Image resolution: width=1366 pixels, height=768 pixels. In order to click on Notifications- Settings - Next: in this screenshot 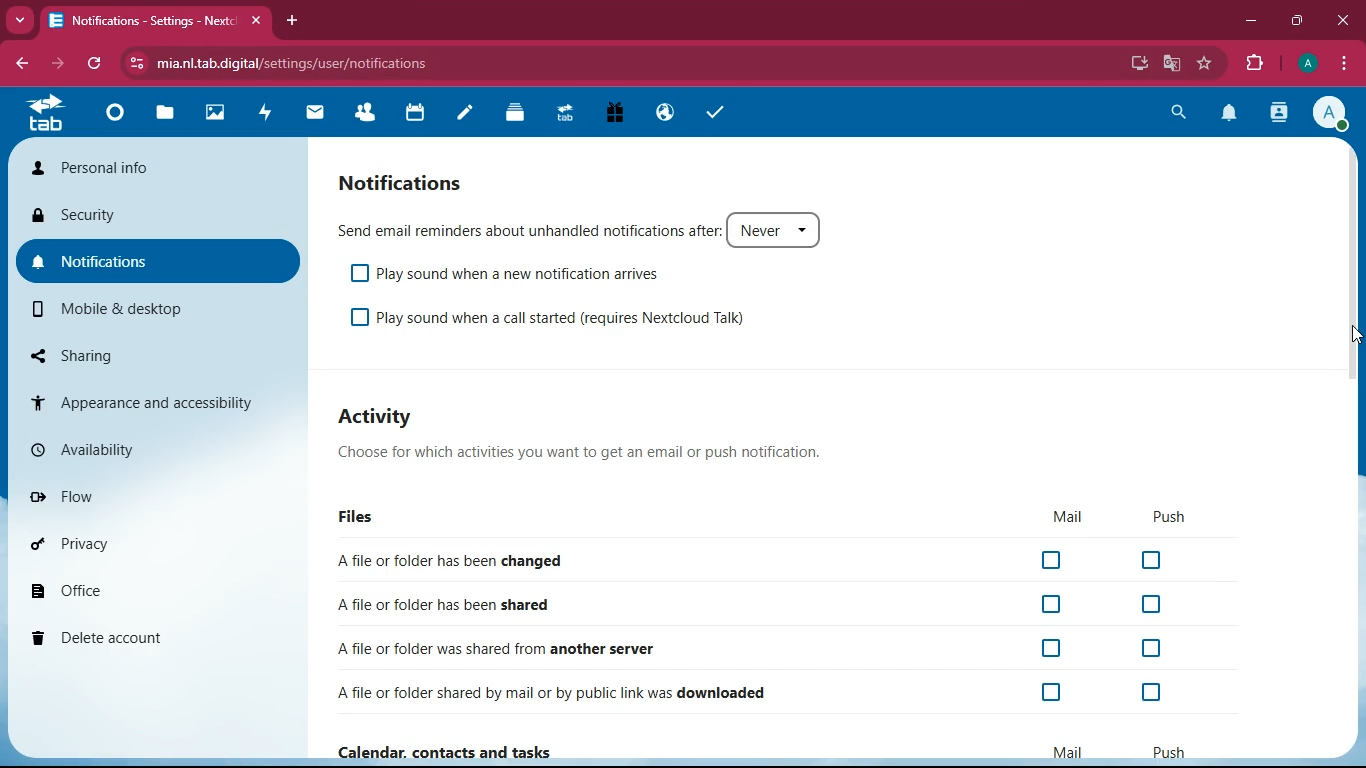, I will do `click(140, 21)`.